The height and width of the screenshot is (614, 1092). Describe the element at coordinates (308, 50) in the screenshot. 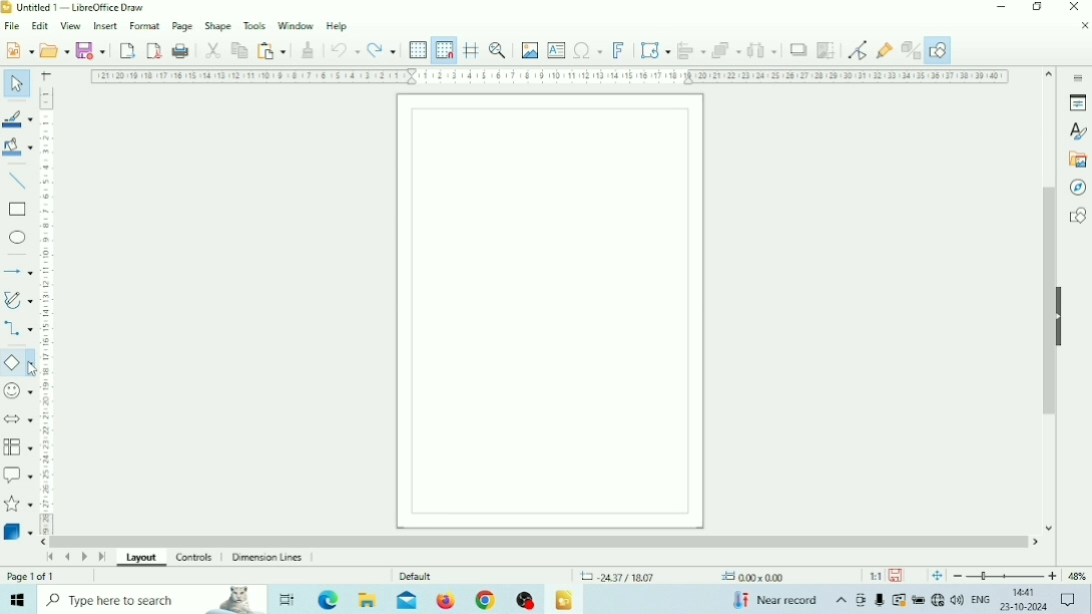

I see `Clone Formatting` at that location.